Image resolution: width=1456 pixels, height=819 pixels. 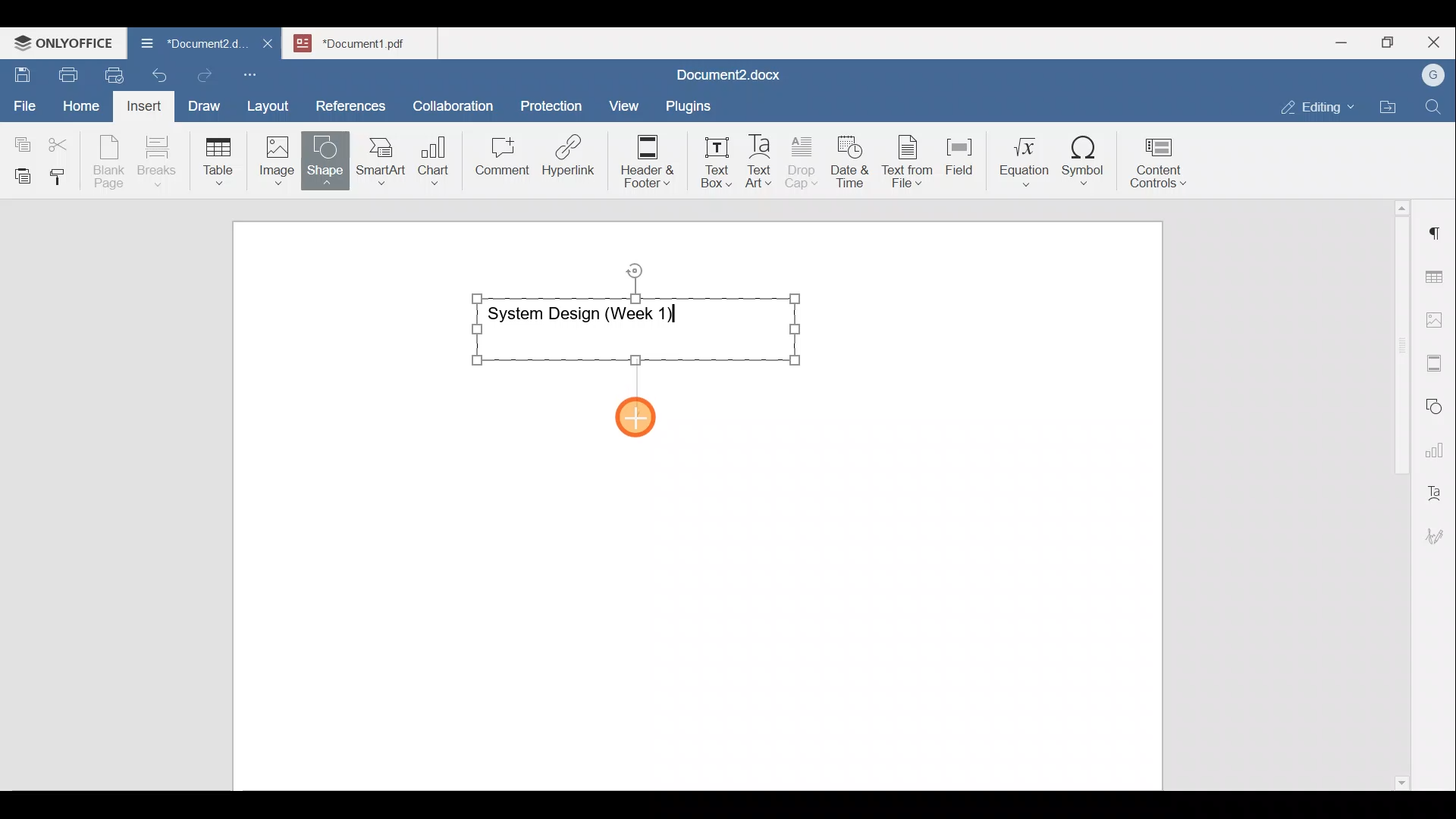 I want to click on Scroll bar, so click(x=1396, y=492).